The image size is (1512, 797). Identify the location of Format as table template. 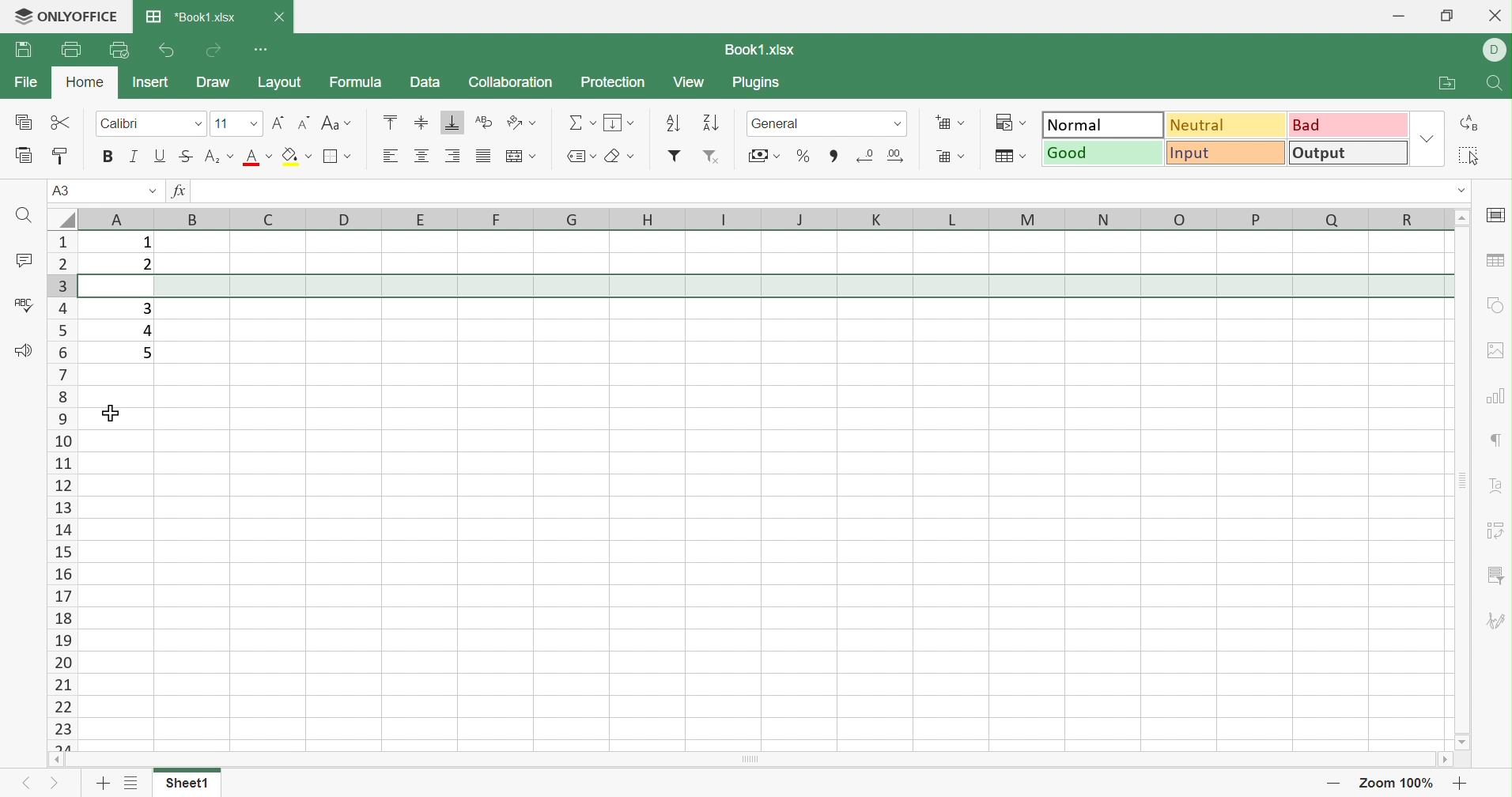
(1003, 153).